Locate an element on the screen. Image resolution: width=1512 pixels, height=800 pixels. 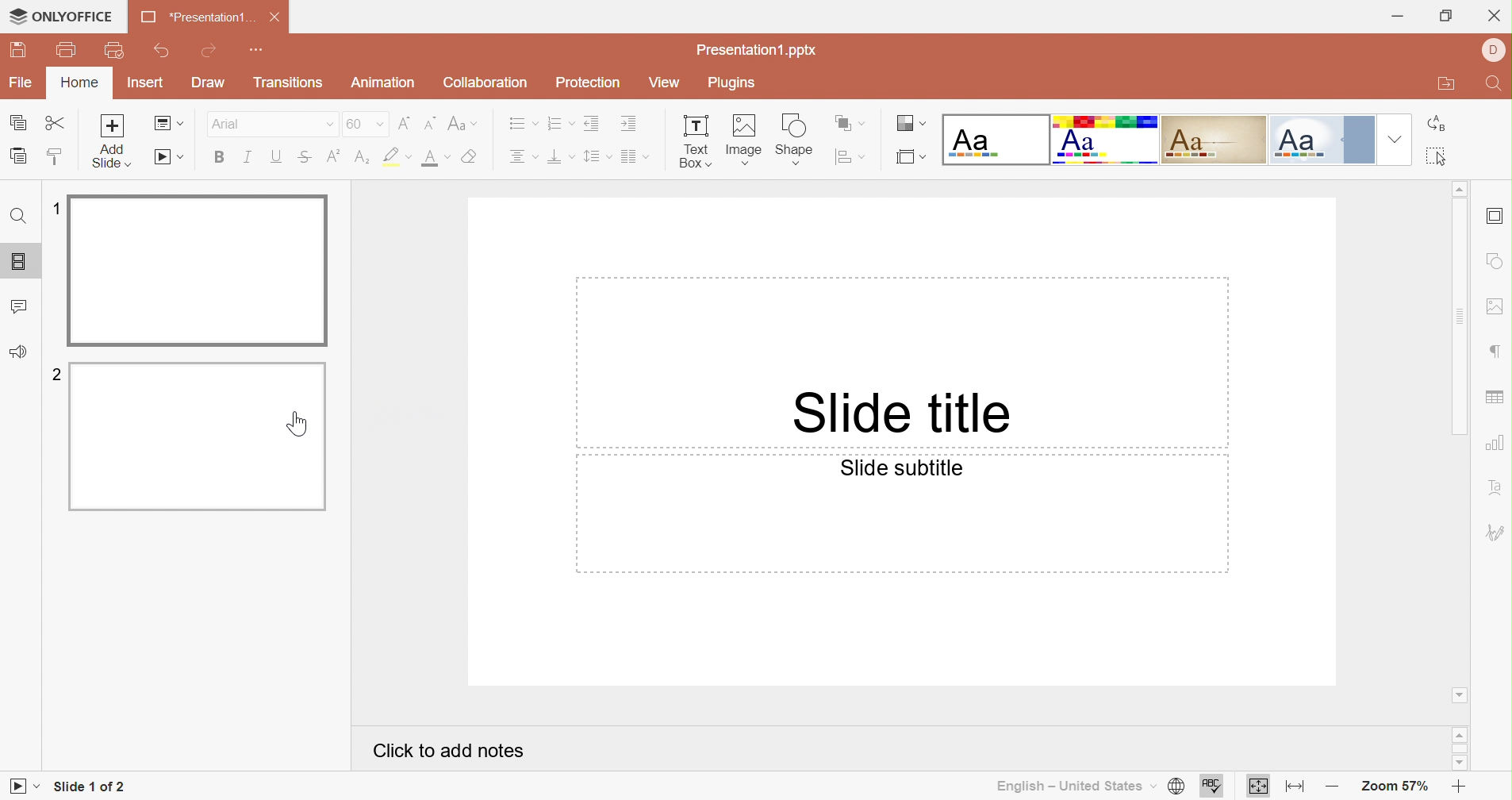
Signature settings is located at coordinates (1495, 531).